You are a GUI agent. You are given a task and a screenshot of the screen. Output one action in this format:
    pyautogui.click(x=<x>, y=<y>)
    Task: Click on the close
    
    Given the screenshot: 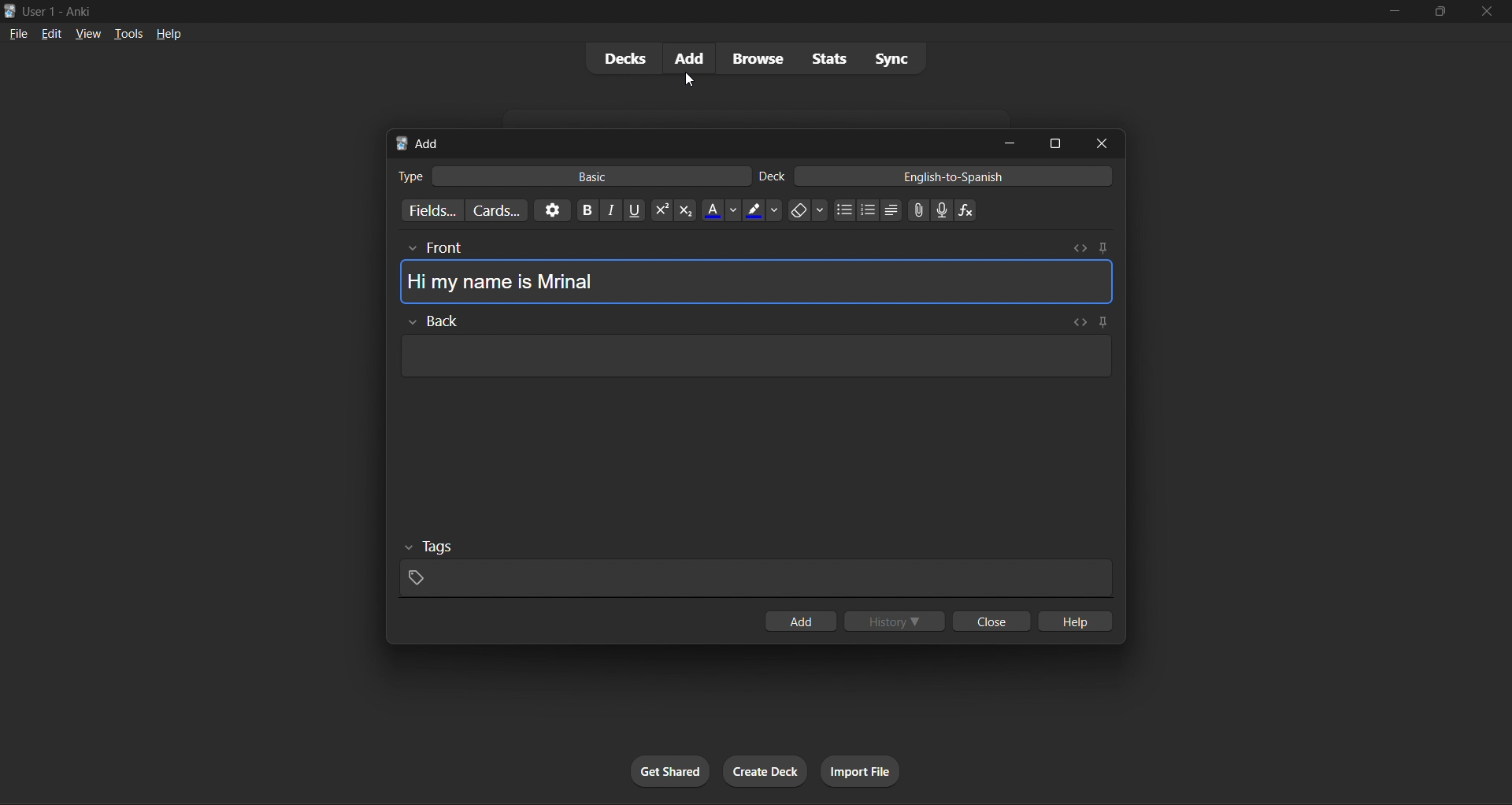 What is the action you would take?
    pyautogui.click(x=988, y=623)
    